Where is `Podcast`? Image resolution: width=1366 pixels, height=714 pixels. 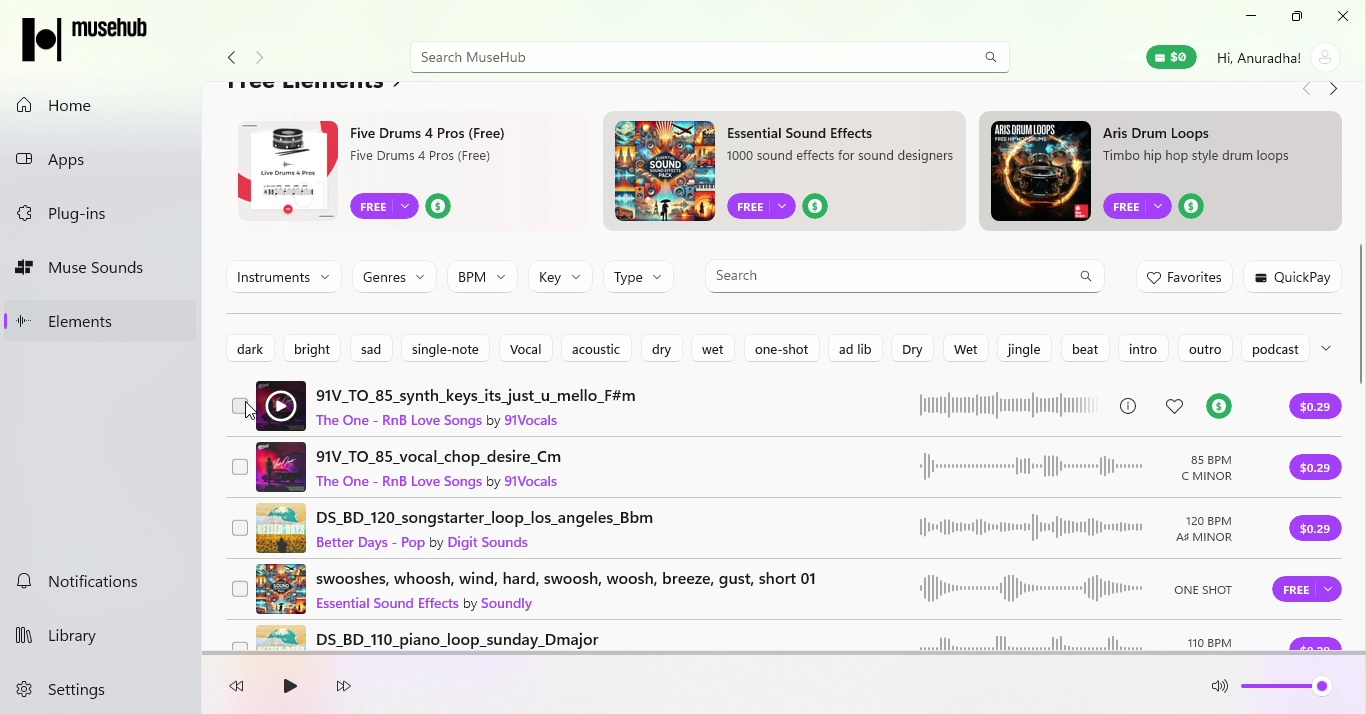
Podcast is located at coordinates (1273, 350).